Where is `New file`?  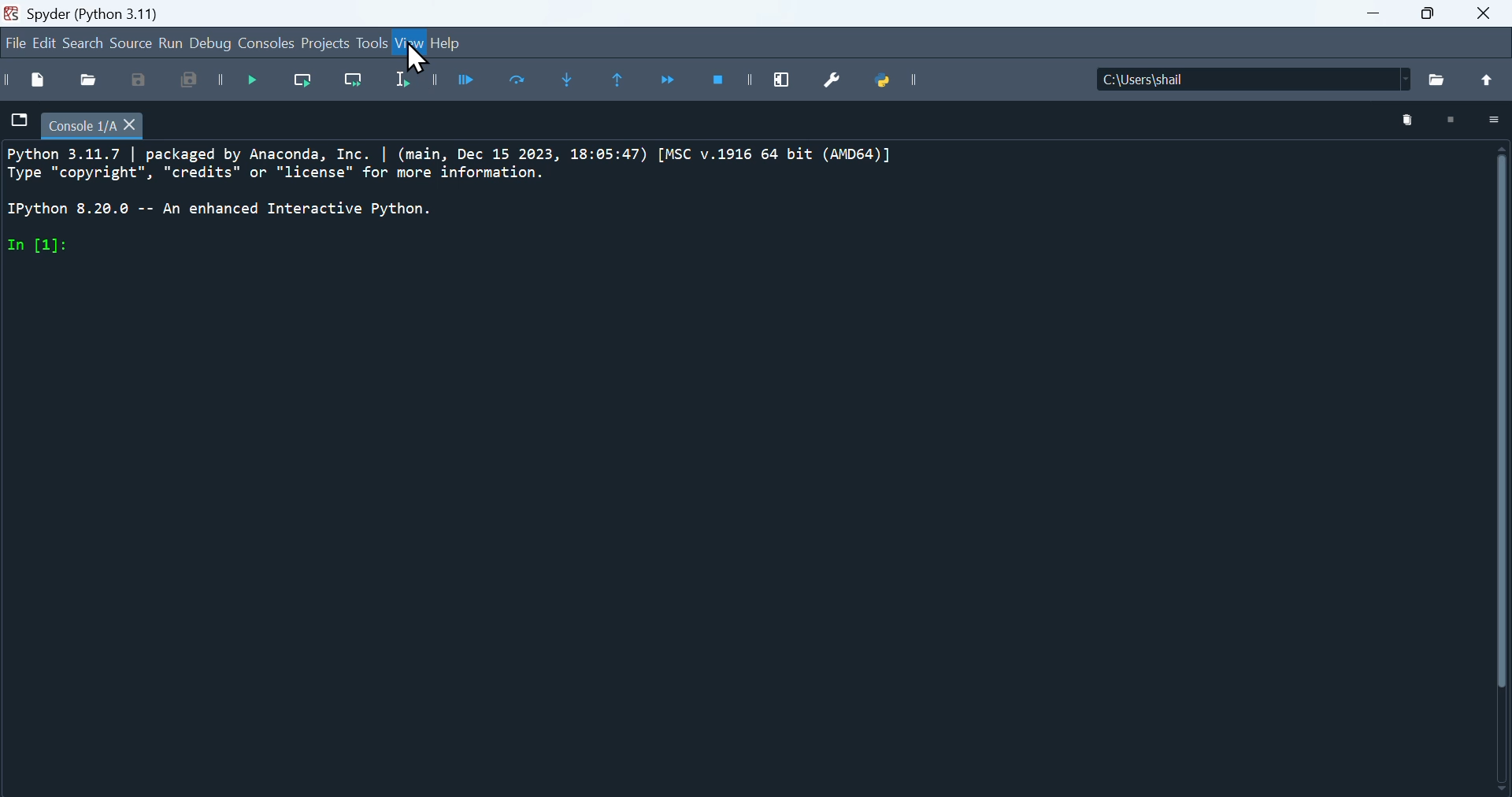
New file is located at coordinates (28, 80).